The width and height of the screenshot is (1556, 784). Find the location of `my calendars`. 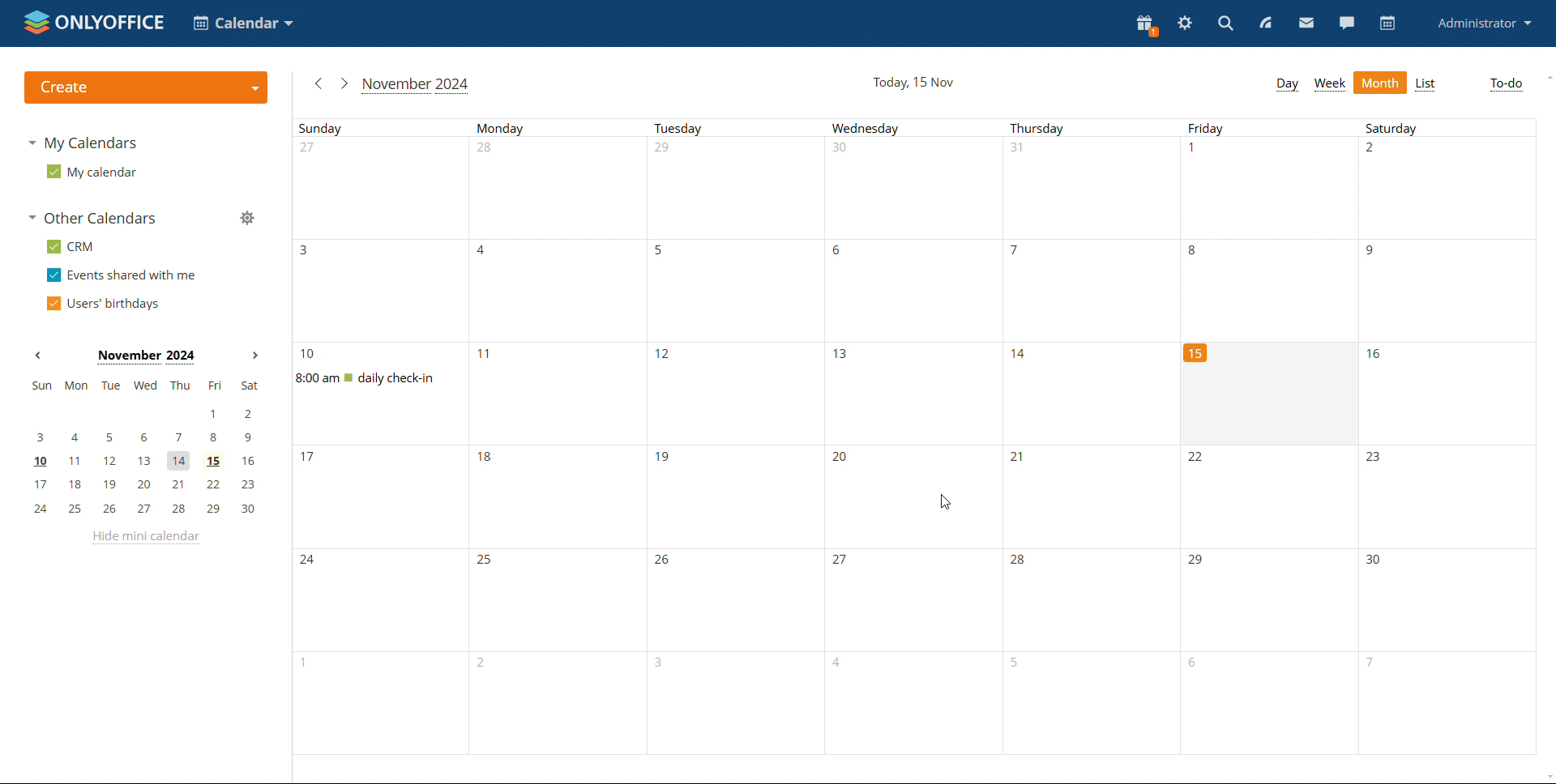

my calendars is located at coordinates (81, 143).